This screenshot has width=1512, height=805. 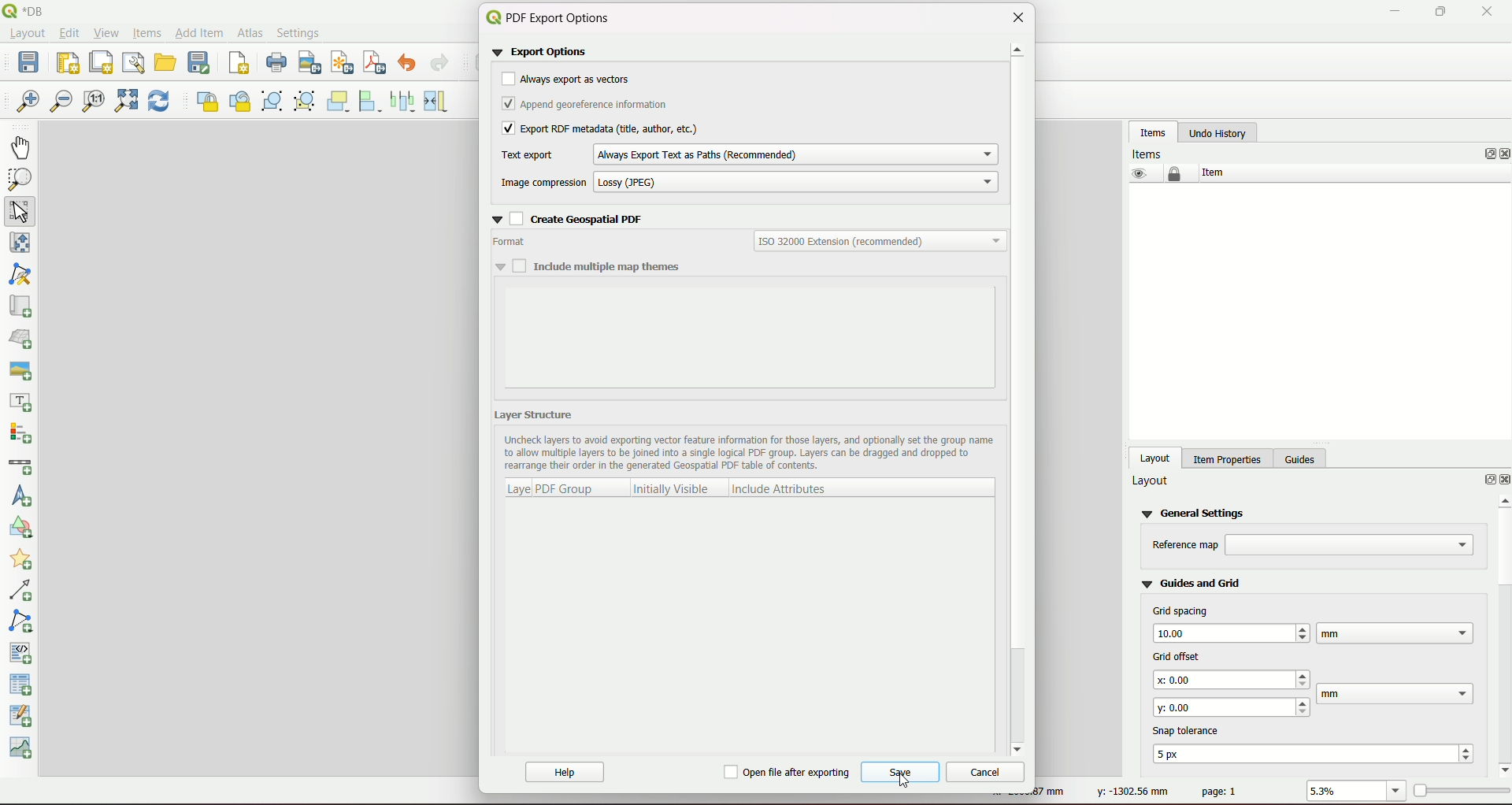 I want to click on edit nodes, so click(x=23, y=276).